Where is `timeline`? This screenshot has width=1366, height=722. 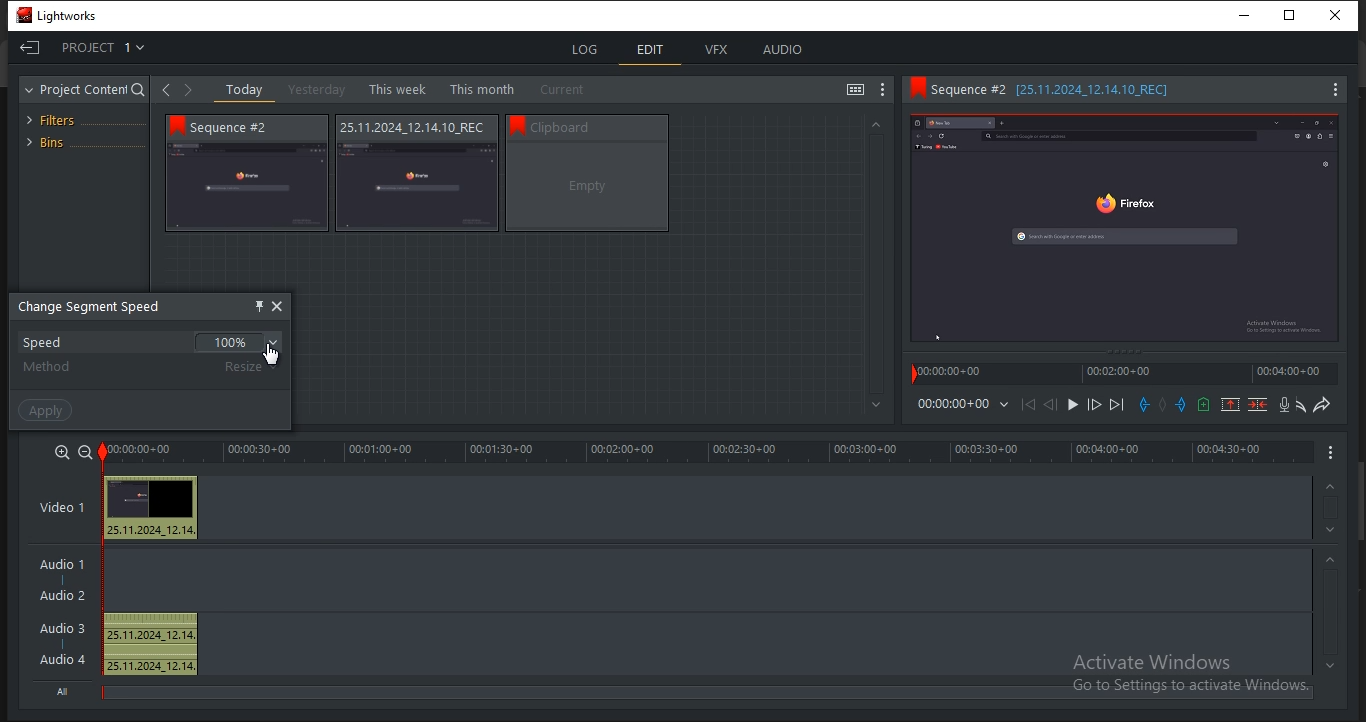 timeline is located at coordinates (708, 453).